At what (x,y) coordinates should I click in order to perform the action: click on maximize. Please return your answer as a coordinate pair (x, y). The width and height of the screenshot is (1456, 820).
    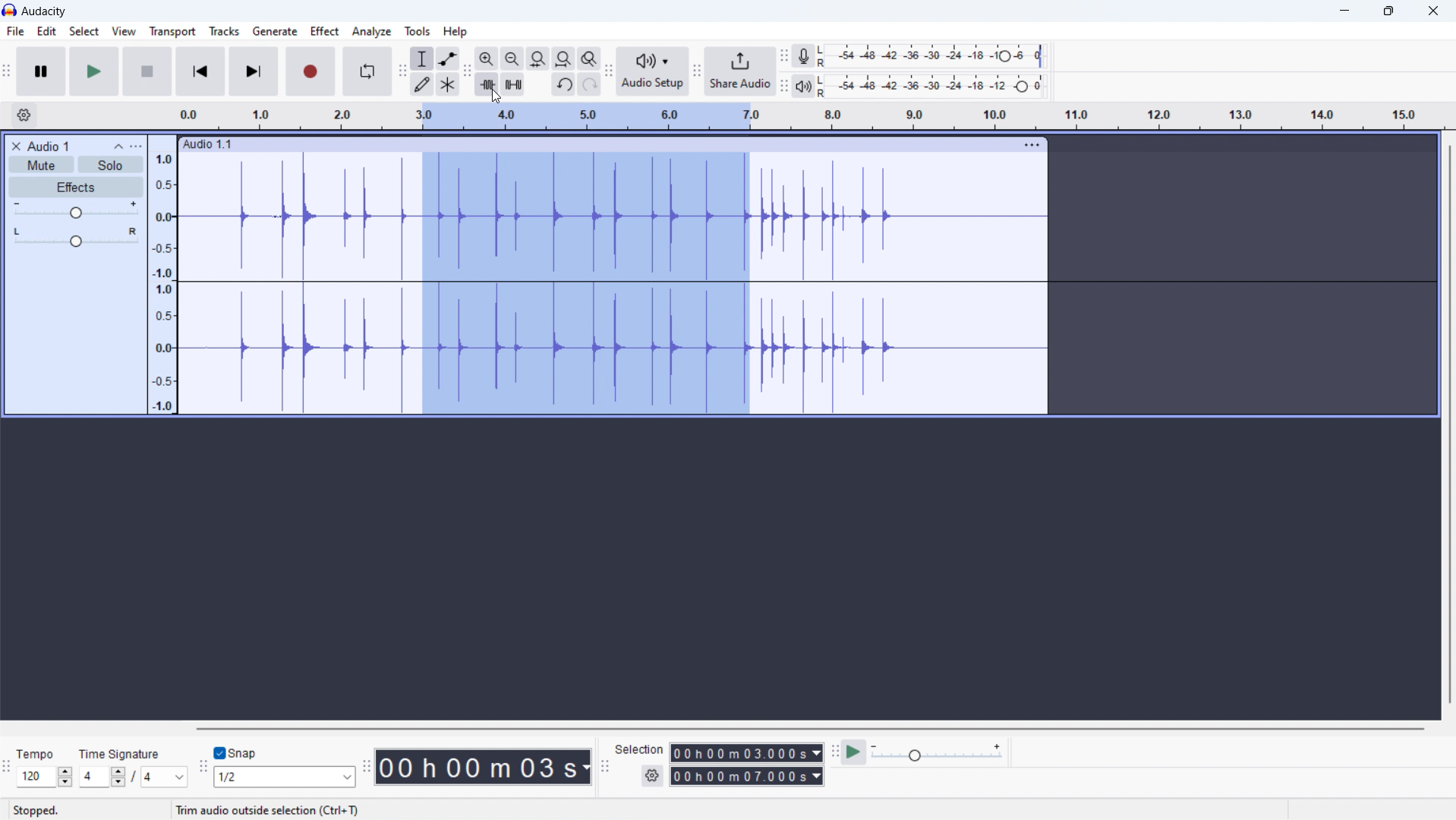
    Looking at the image, I should click on (1387, 11).